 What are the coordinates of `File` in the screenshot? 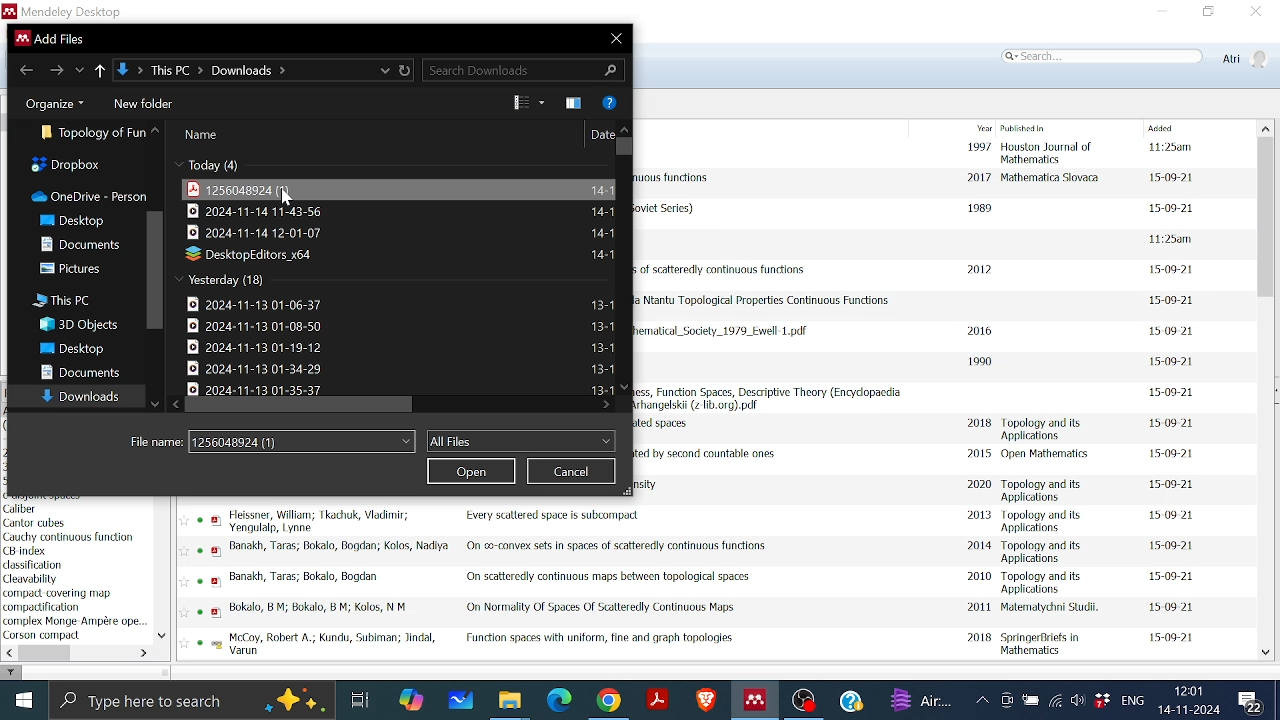 It's located at (240, 190).